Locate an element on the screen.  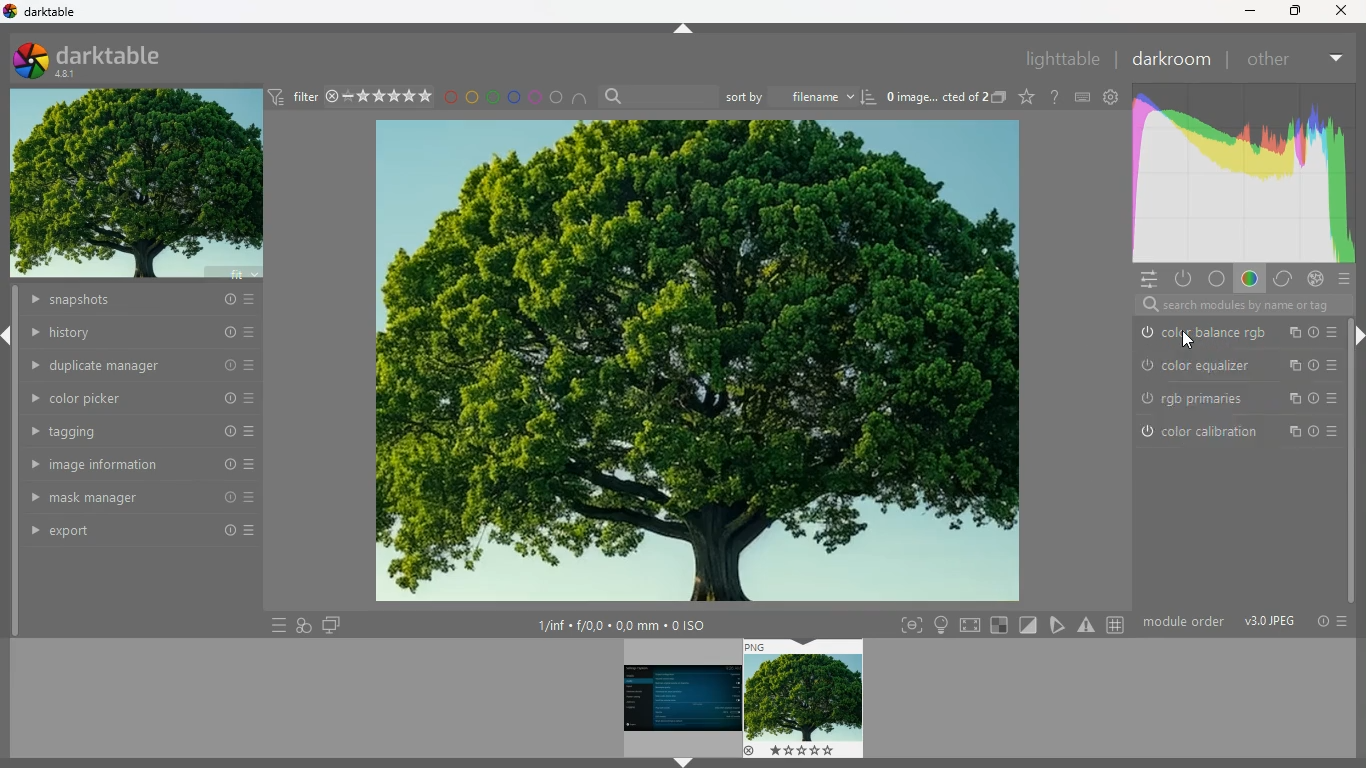
other is located at coordinates (1267, 60).